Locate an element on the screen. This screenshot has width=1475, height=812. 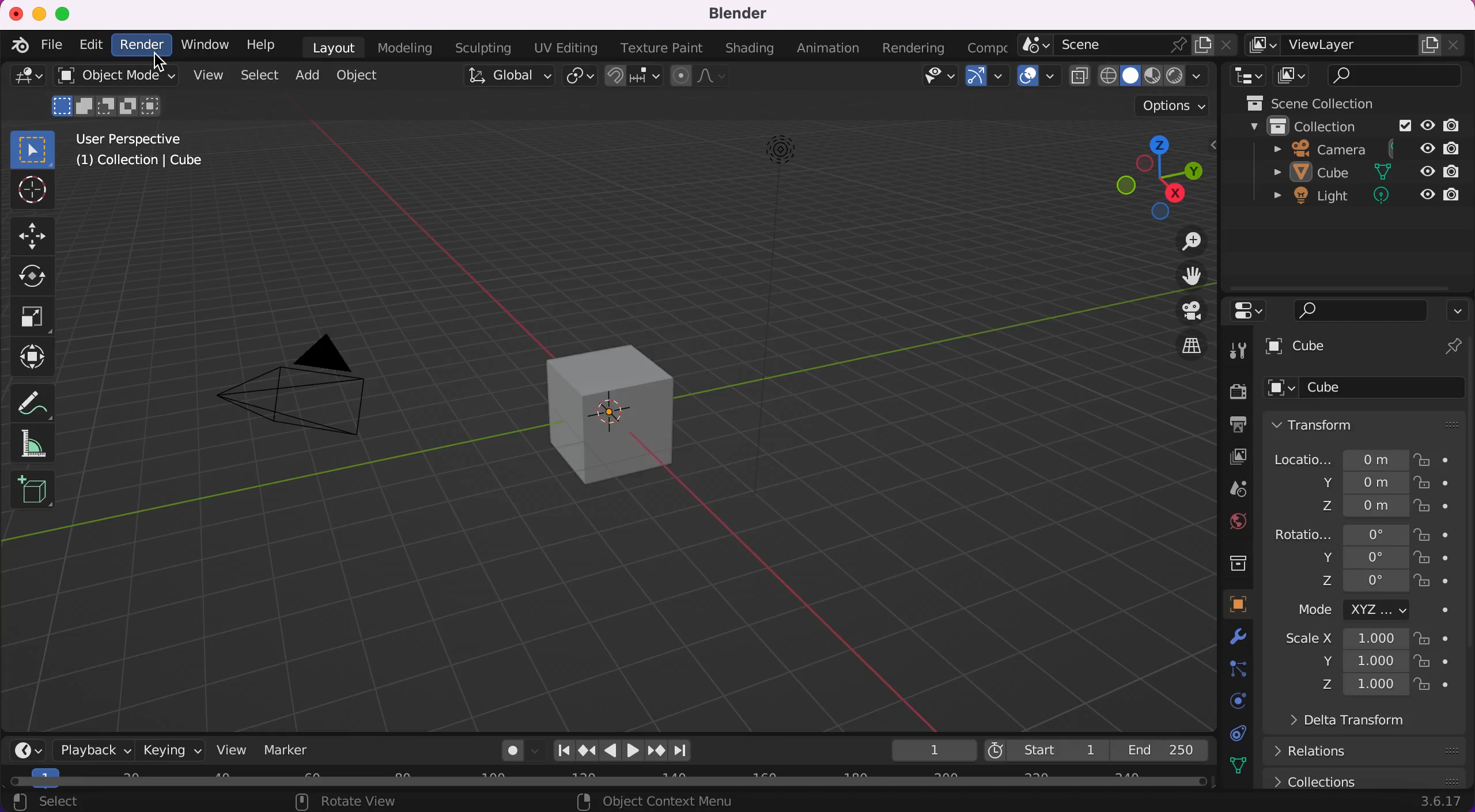
layer is located at coordinates (1227, 456).